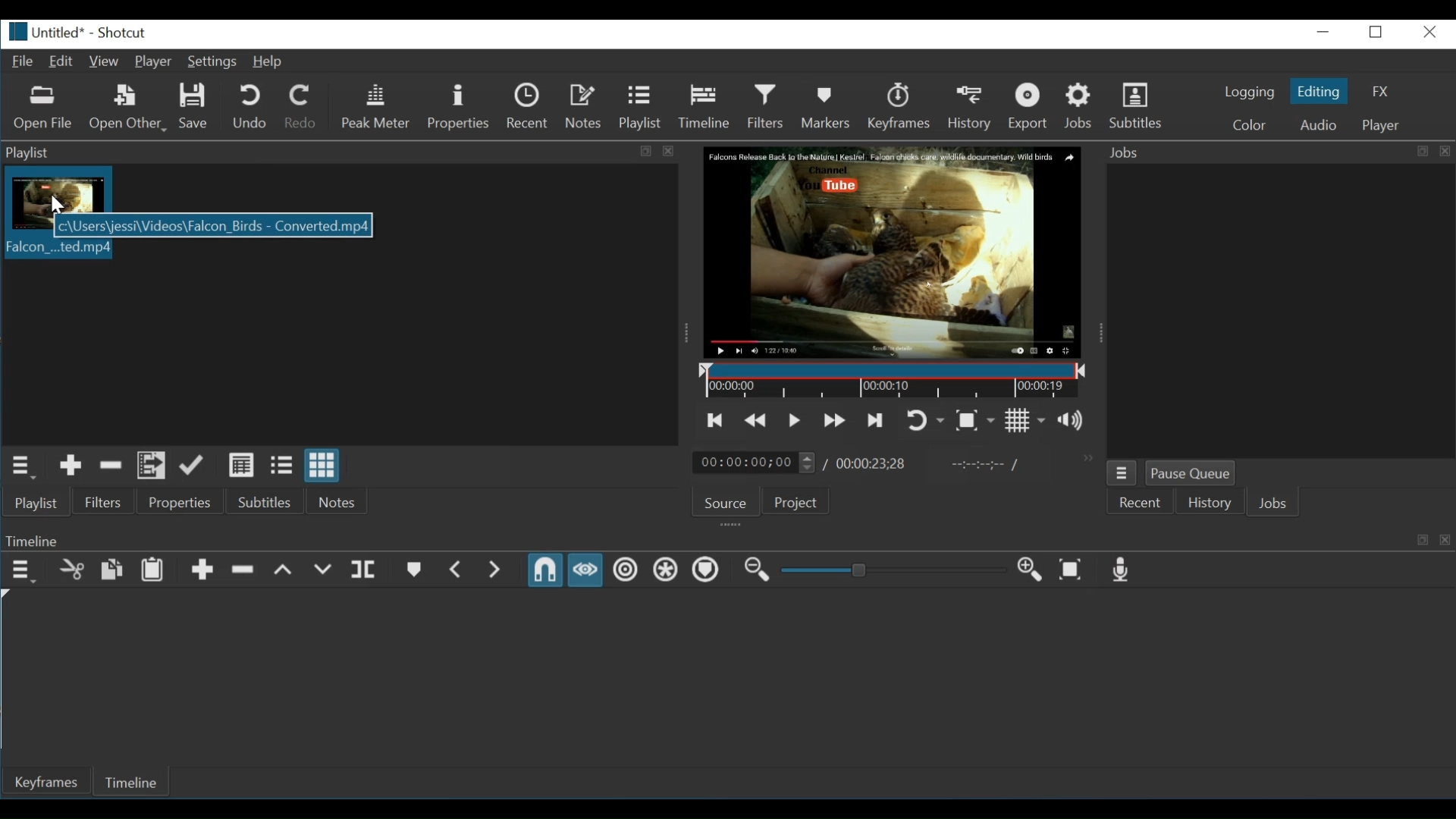 This screenshot has height=819, width=1456. What do you see at coordinates (1250, 124) in the screenshot?
I see `Color` at bounding box center [1250, 124].